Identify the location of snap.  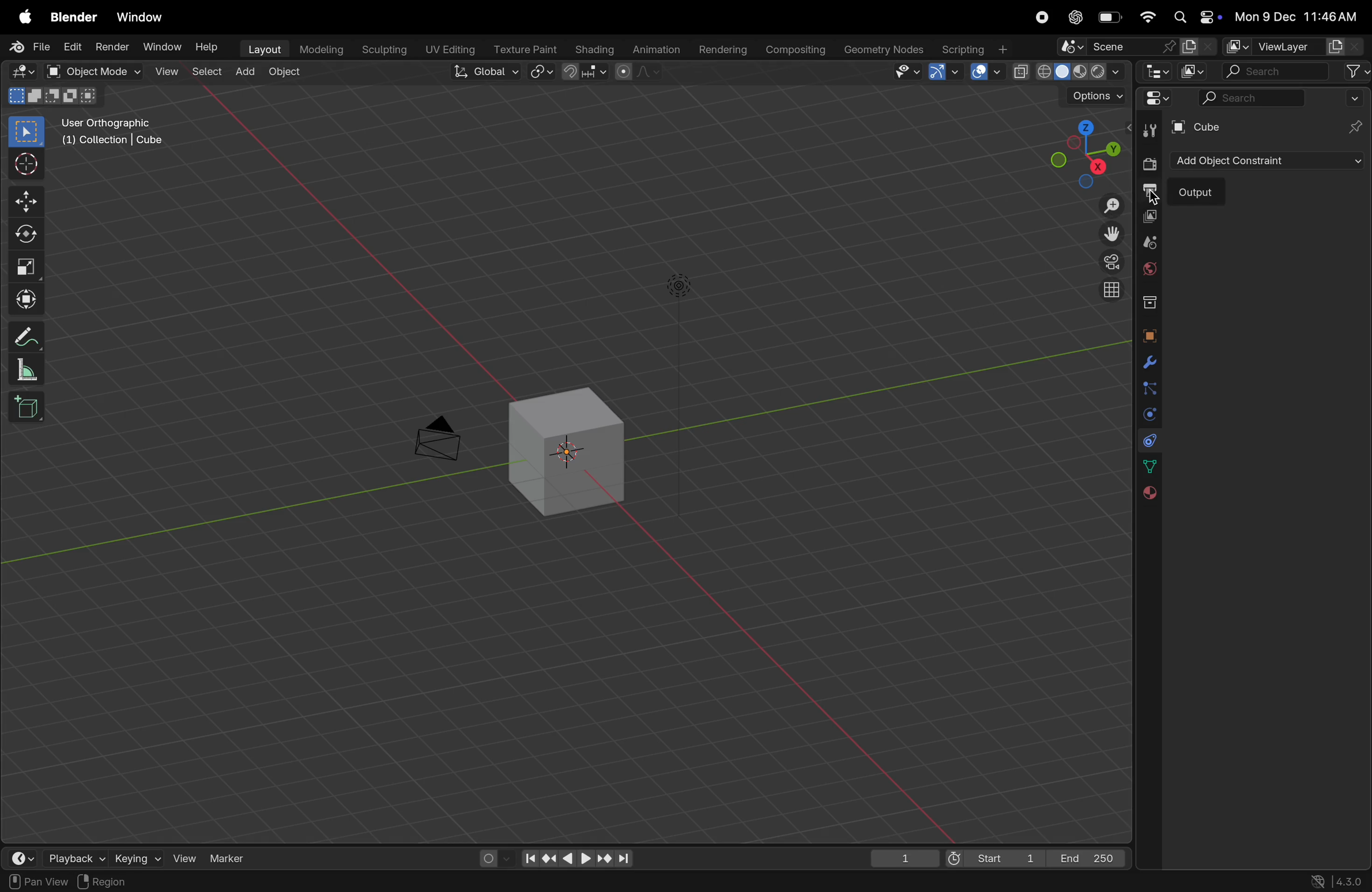
(584, 73).